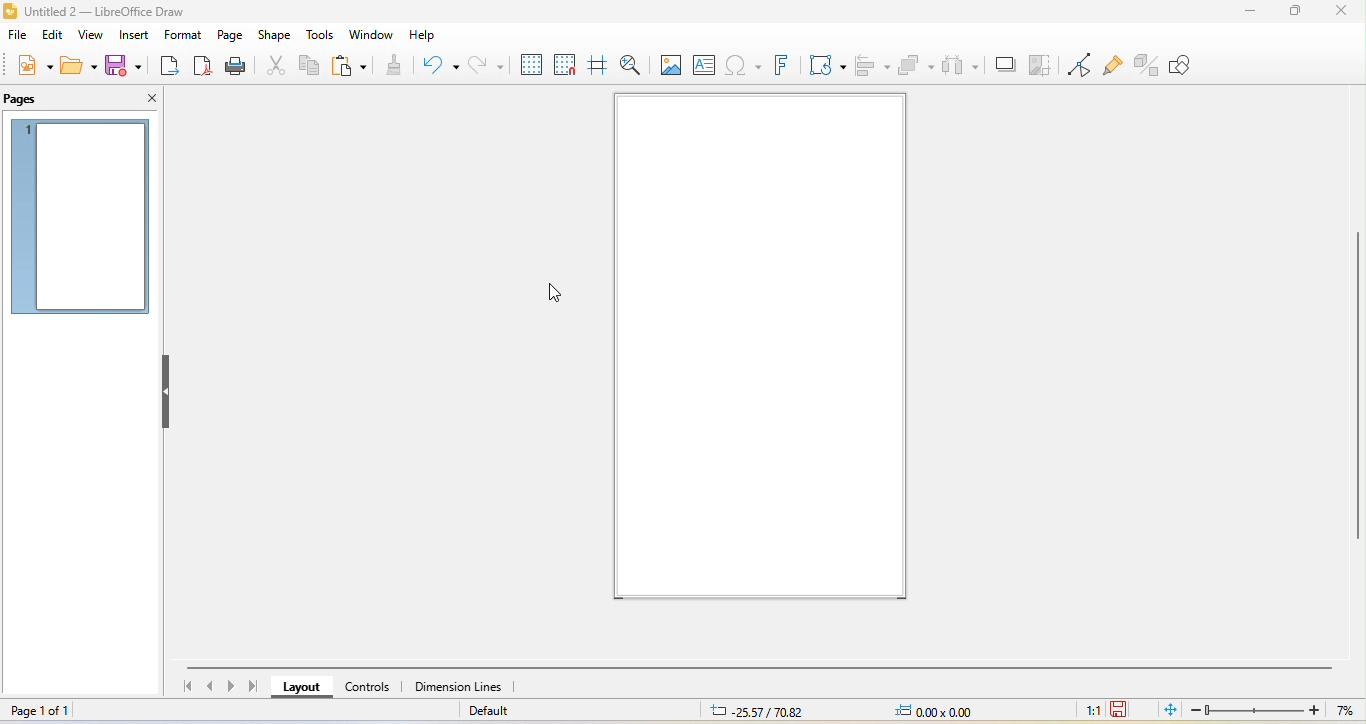 This screenshot has height=724, width=1366. I want to click on vertical scroll bar, so click(1357, 380).